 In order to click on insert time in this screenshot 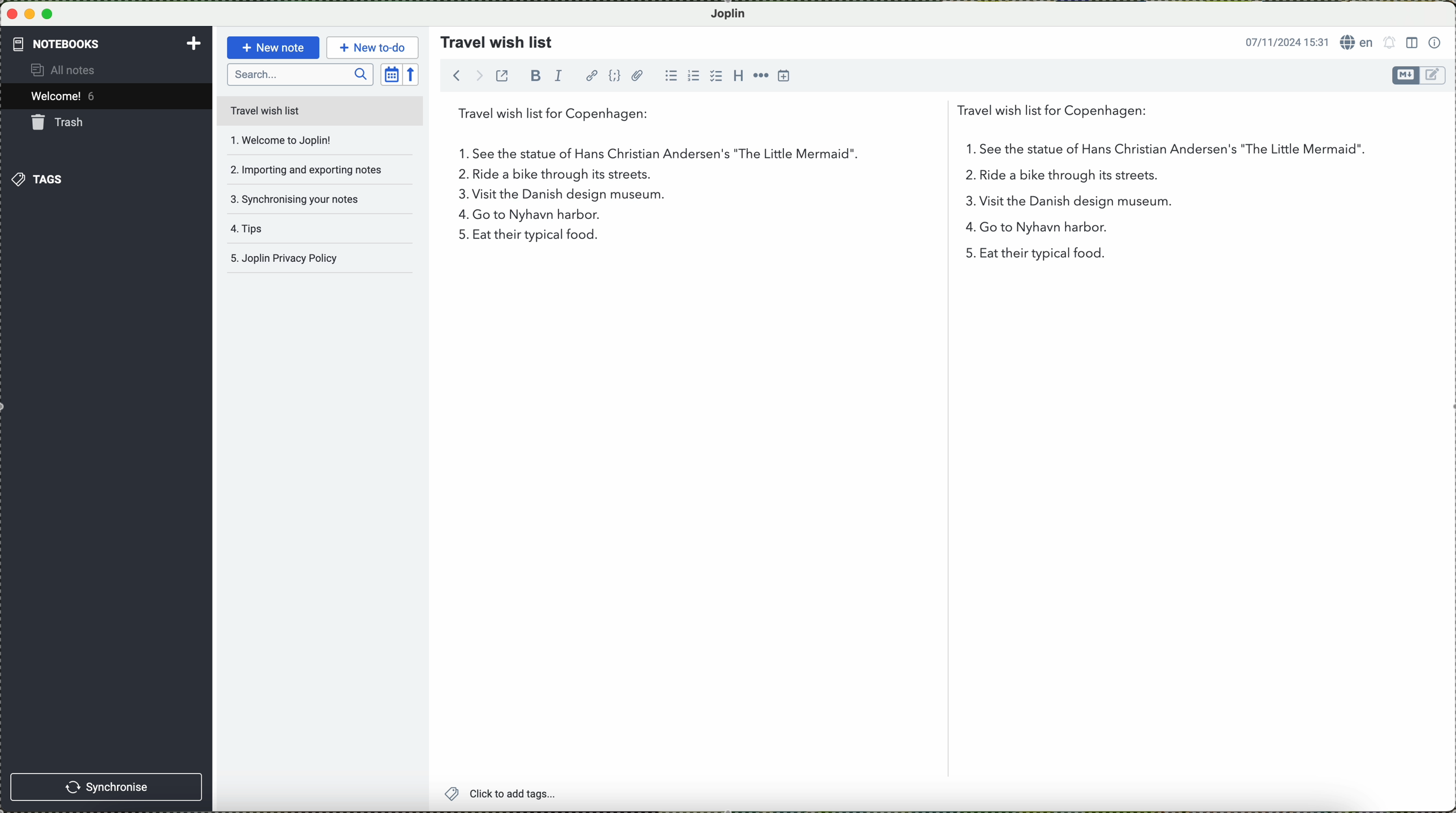, I will do `click(785, 77)`.